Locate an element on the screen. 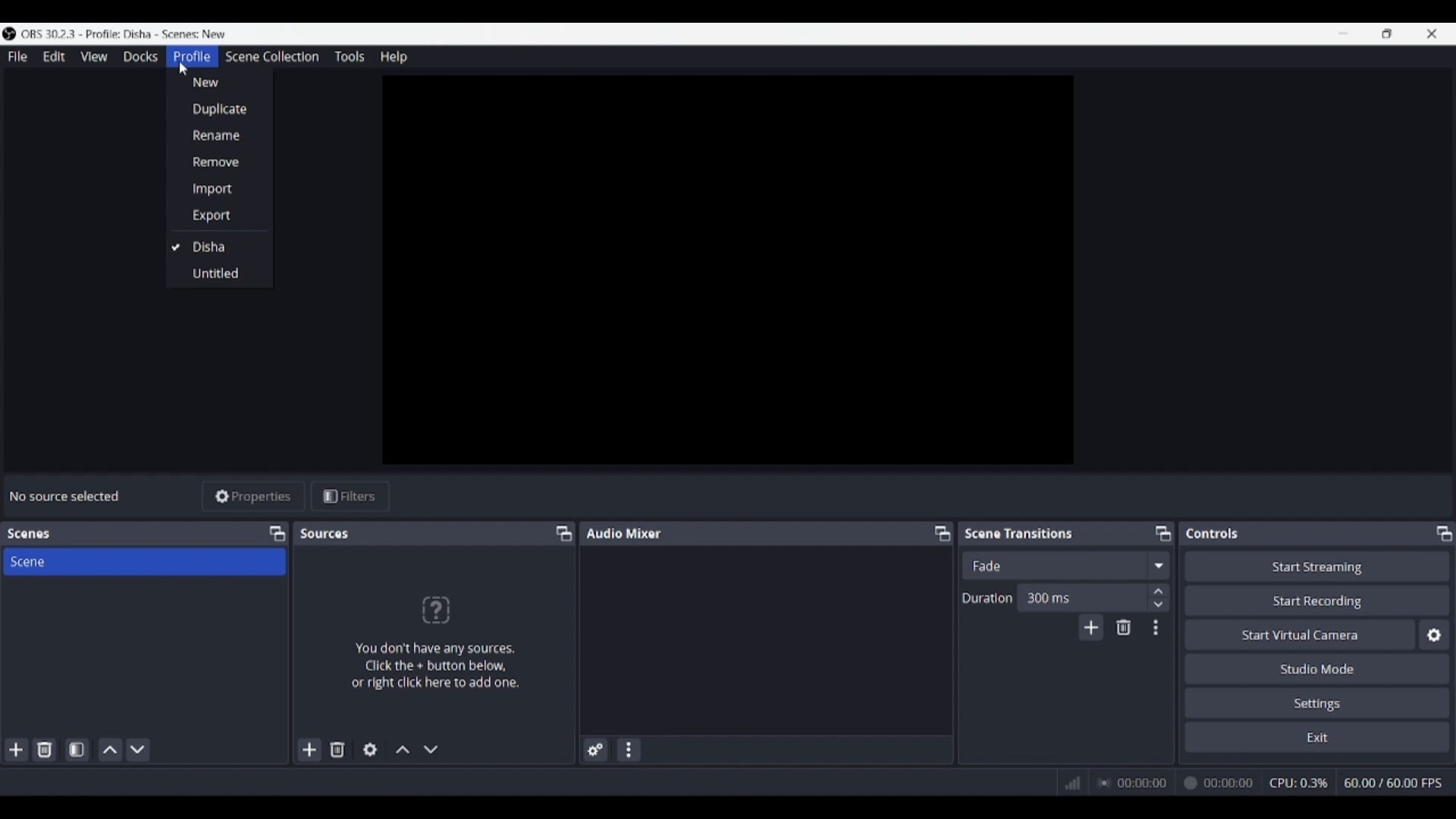 The height and width of the screenshot is (819, 1456). Start virtual camera is located at coordinates (1300, 634).